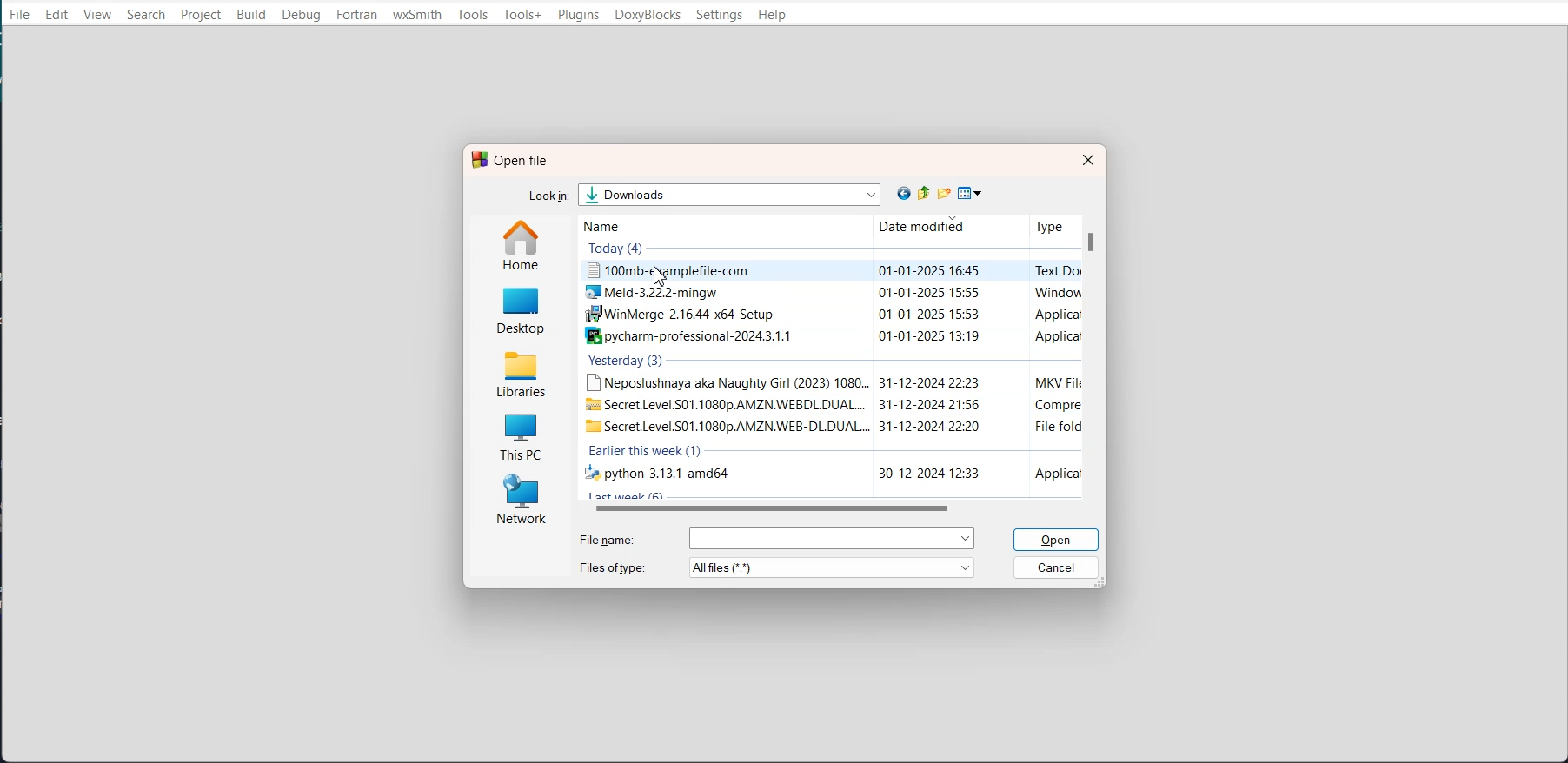 This screenshot has height=763, width=1568. What do you see at coordinates (624, 225) in the screenshot?
I see `Name` at bounding box center [624, 225].